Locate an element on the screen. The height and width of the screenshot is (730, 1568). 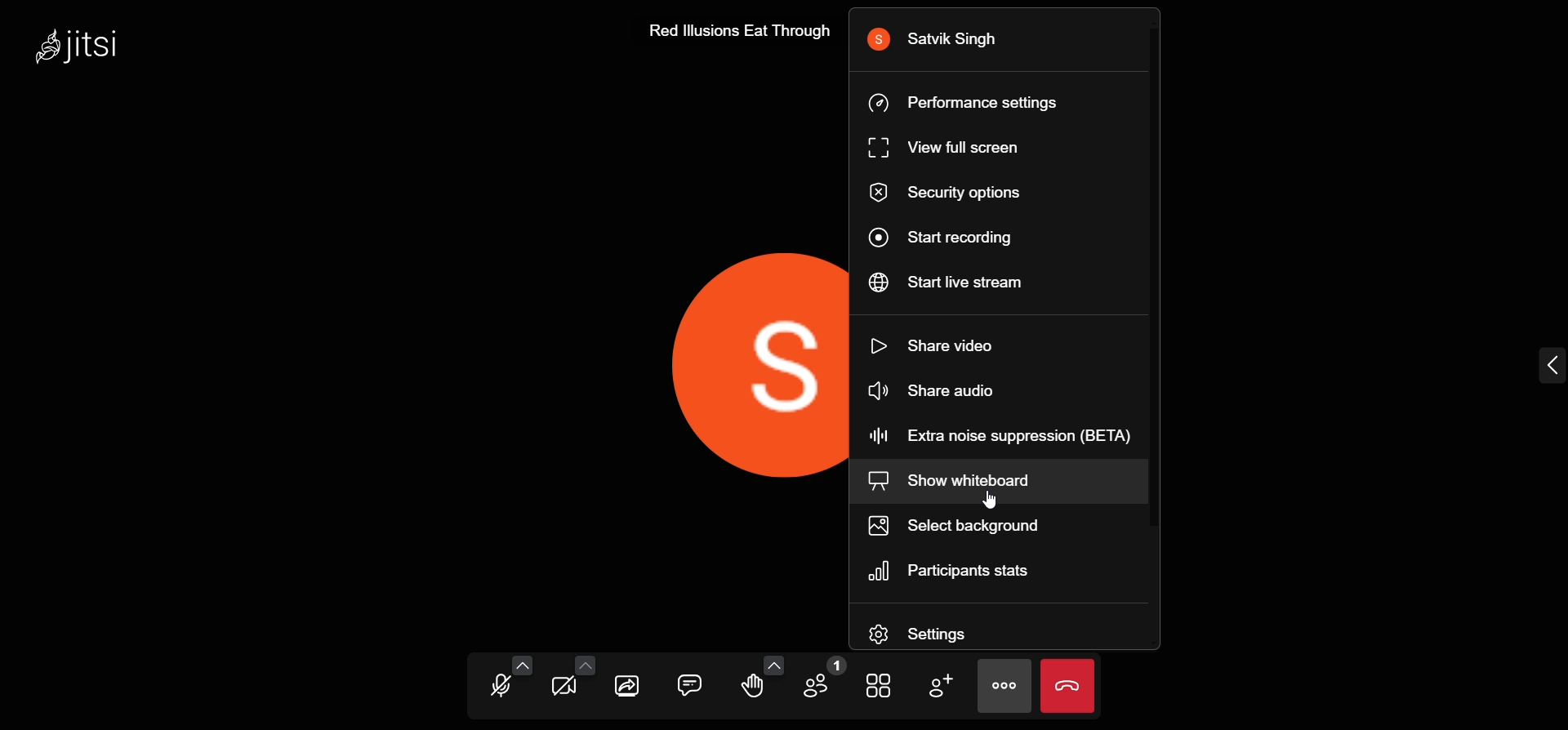
Red lllusions Eat Through is located at coordinates (737, 28).